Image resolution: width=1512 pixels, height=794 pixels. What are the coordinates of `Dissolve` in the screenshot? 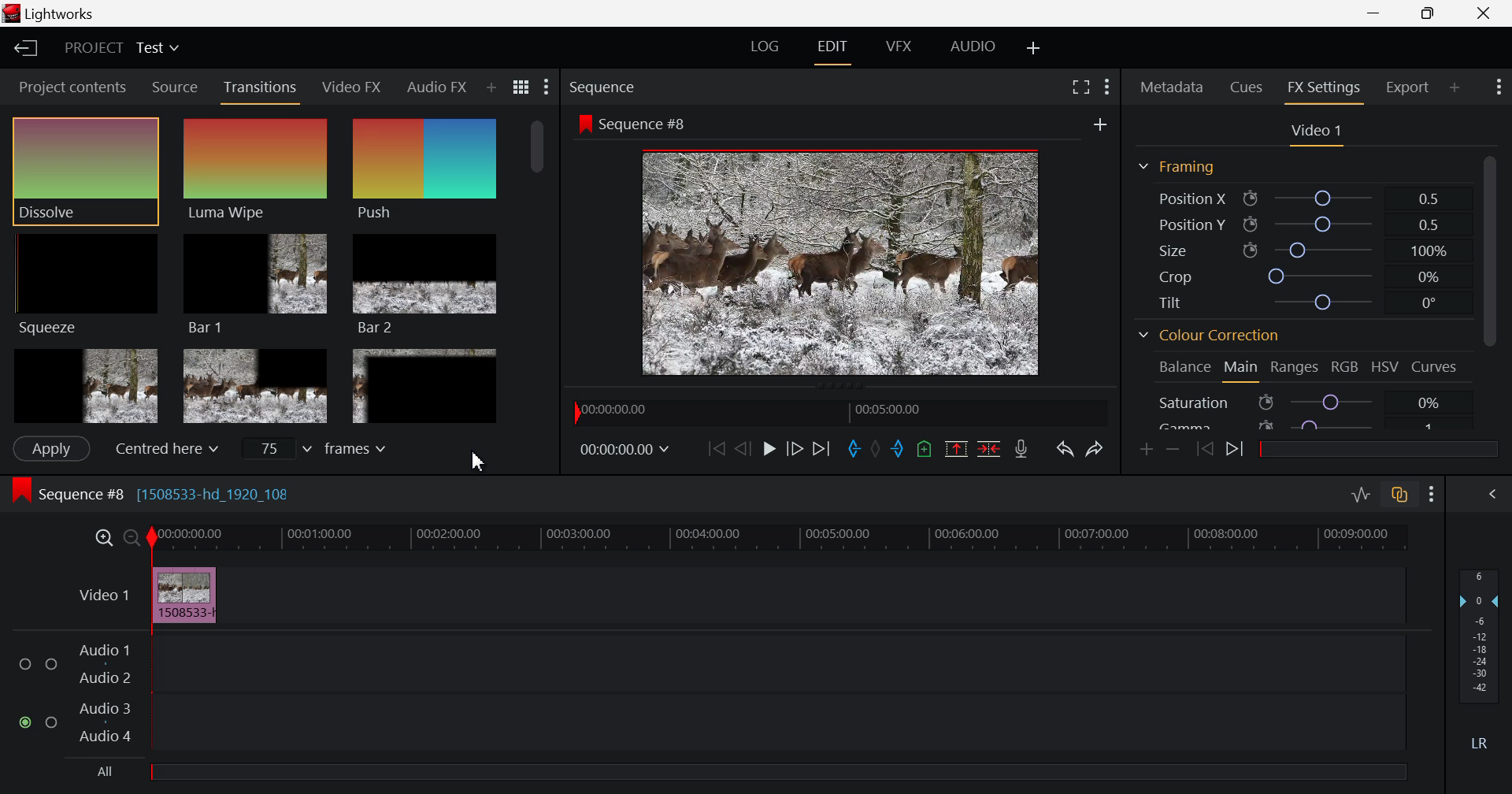 It's located at (89, 167).